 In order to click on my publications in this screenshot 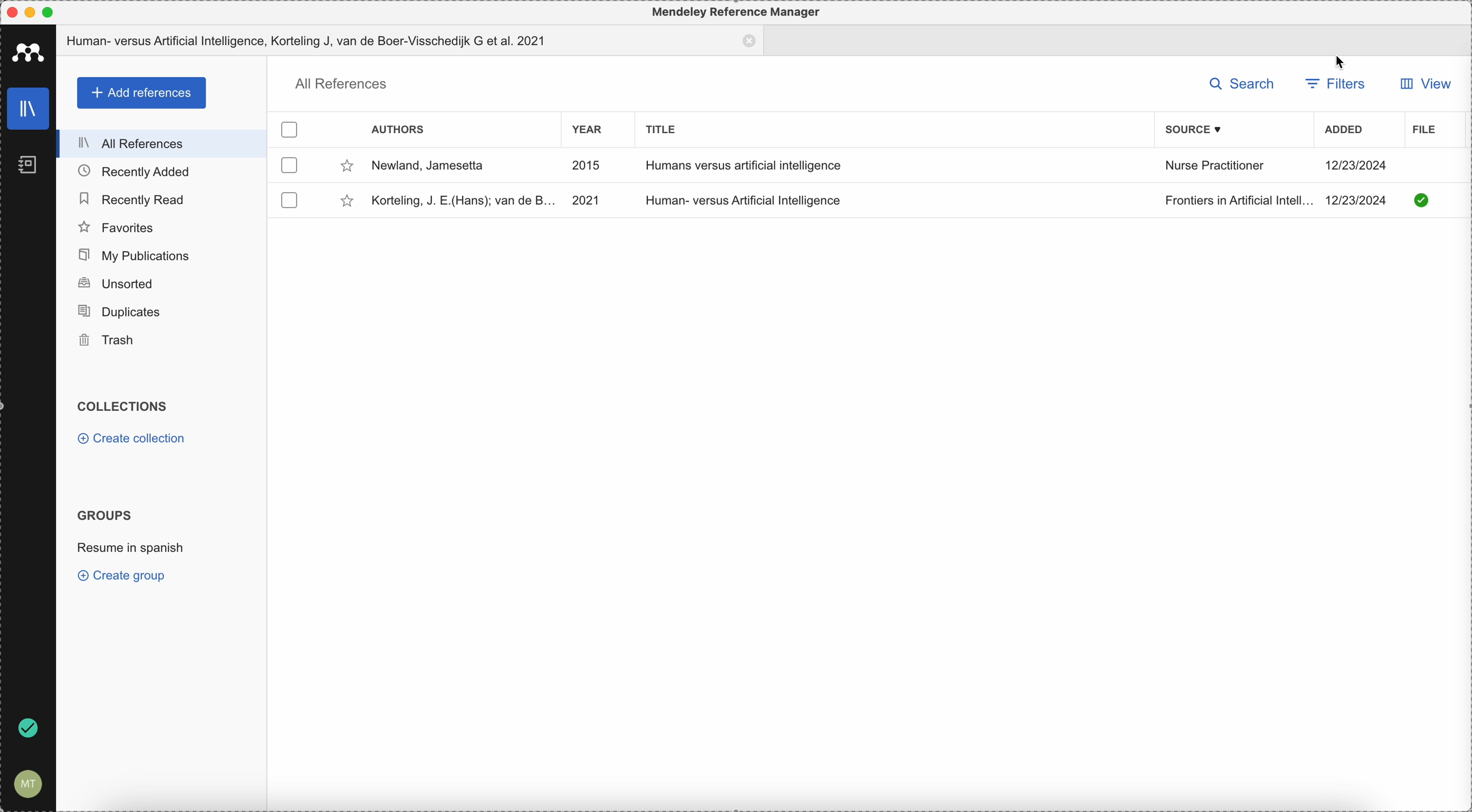, I will do `click(164, 255)`.